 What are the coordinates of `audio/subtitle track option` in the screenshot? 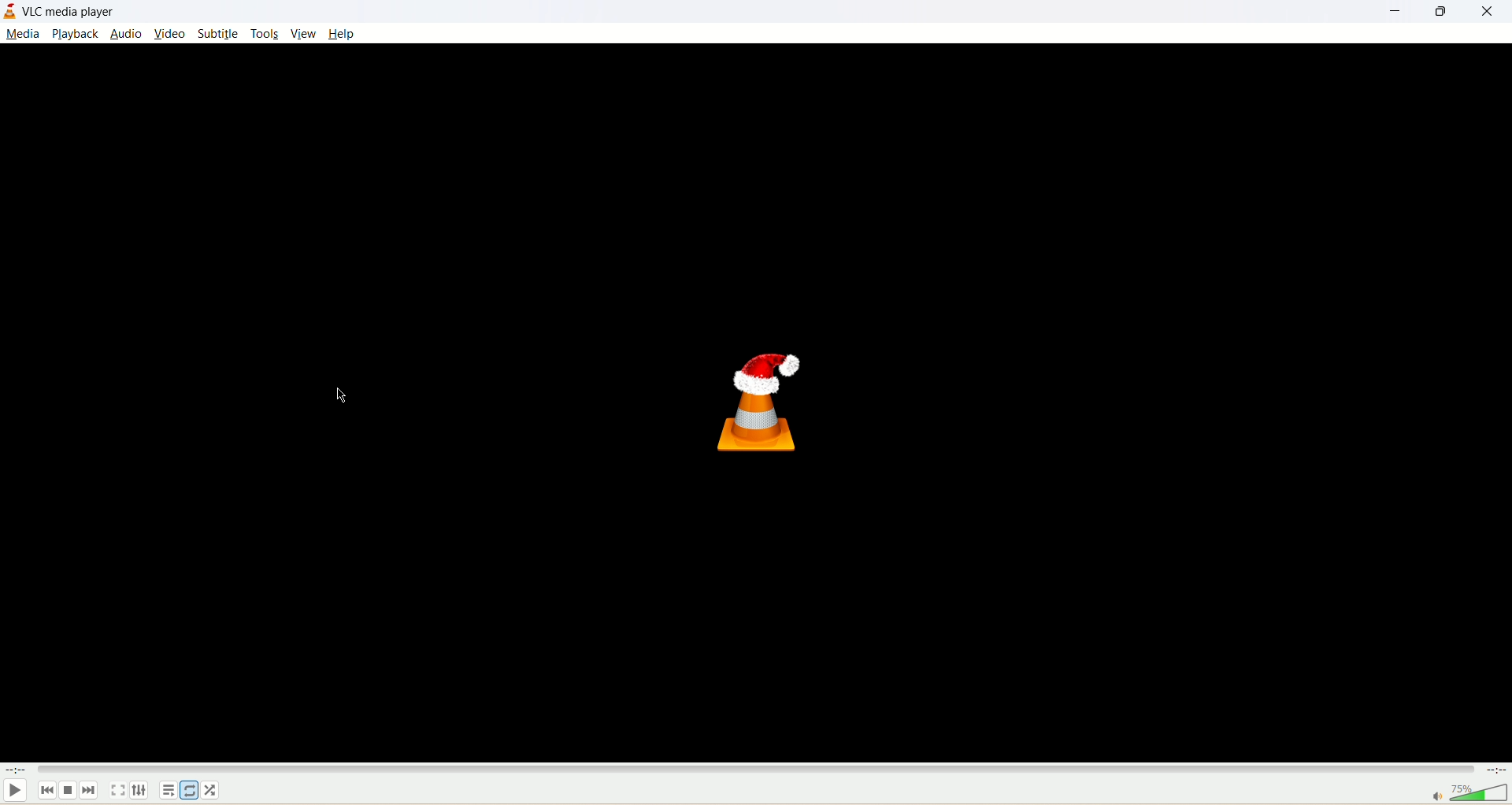 It's located at (141, 790).